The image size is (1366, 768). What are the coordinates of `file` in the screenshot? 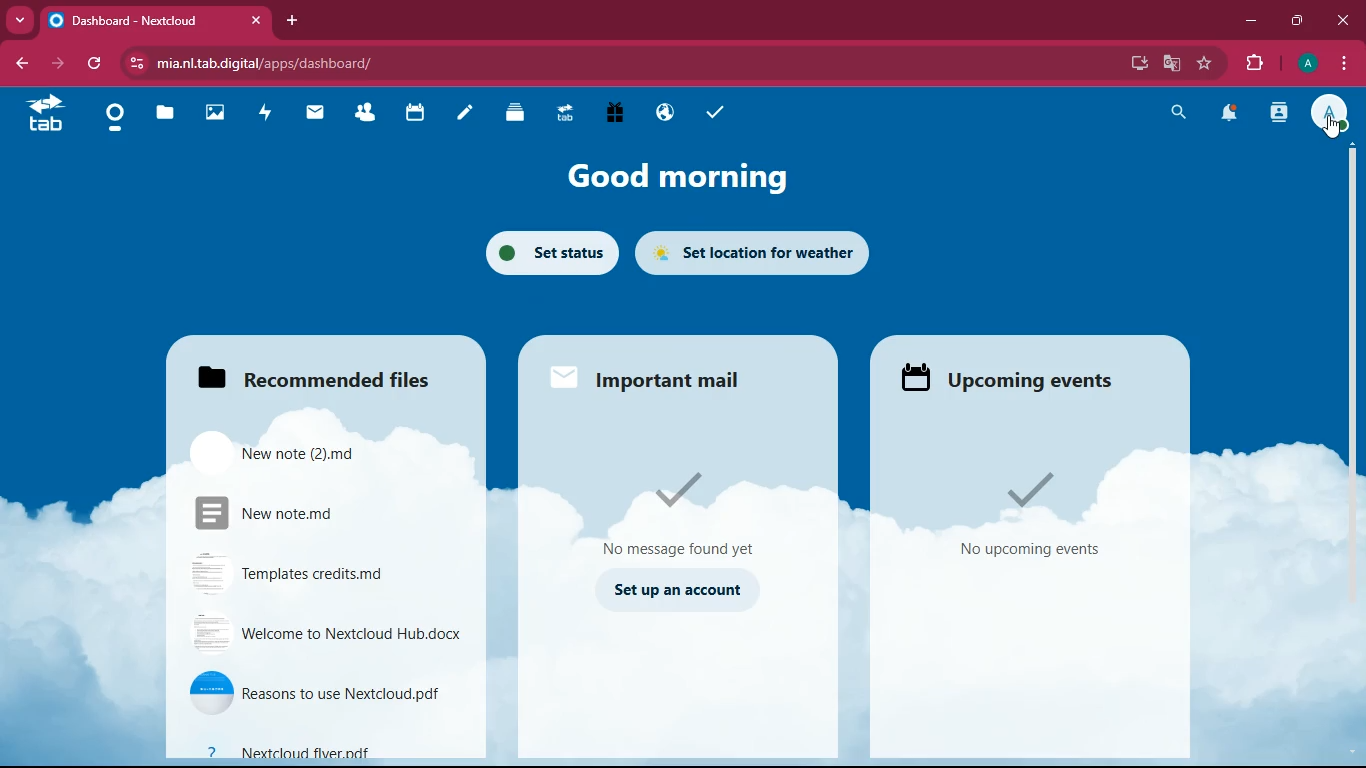 It's located at (327, 693).